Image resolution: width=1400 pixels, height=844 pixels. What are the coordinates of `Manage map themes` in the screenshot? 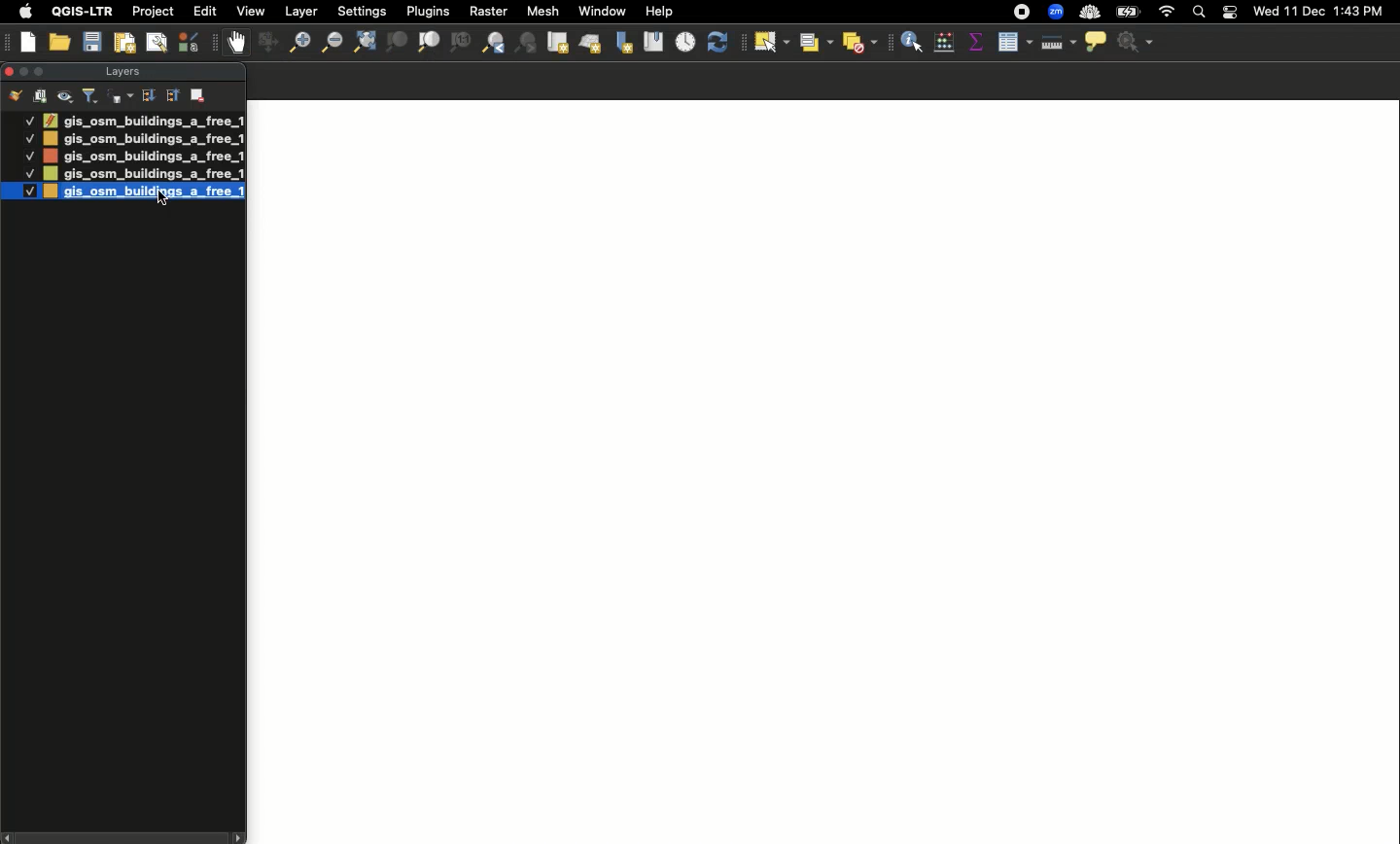 It's located at (66, 96).